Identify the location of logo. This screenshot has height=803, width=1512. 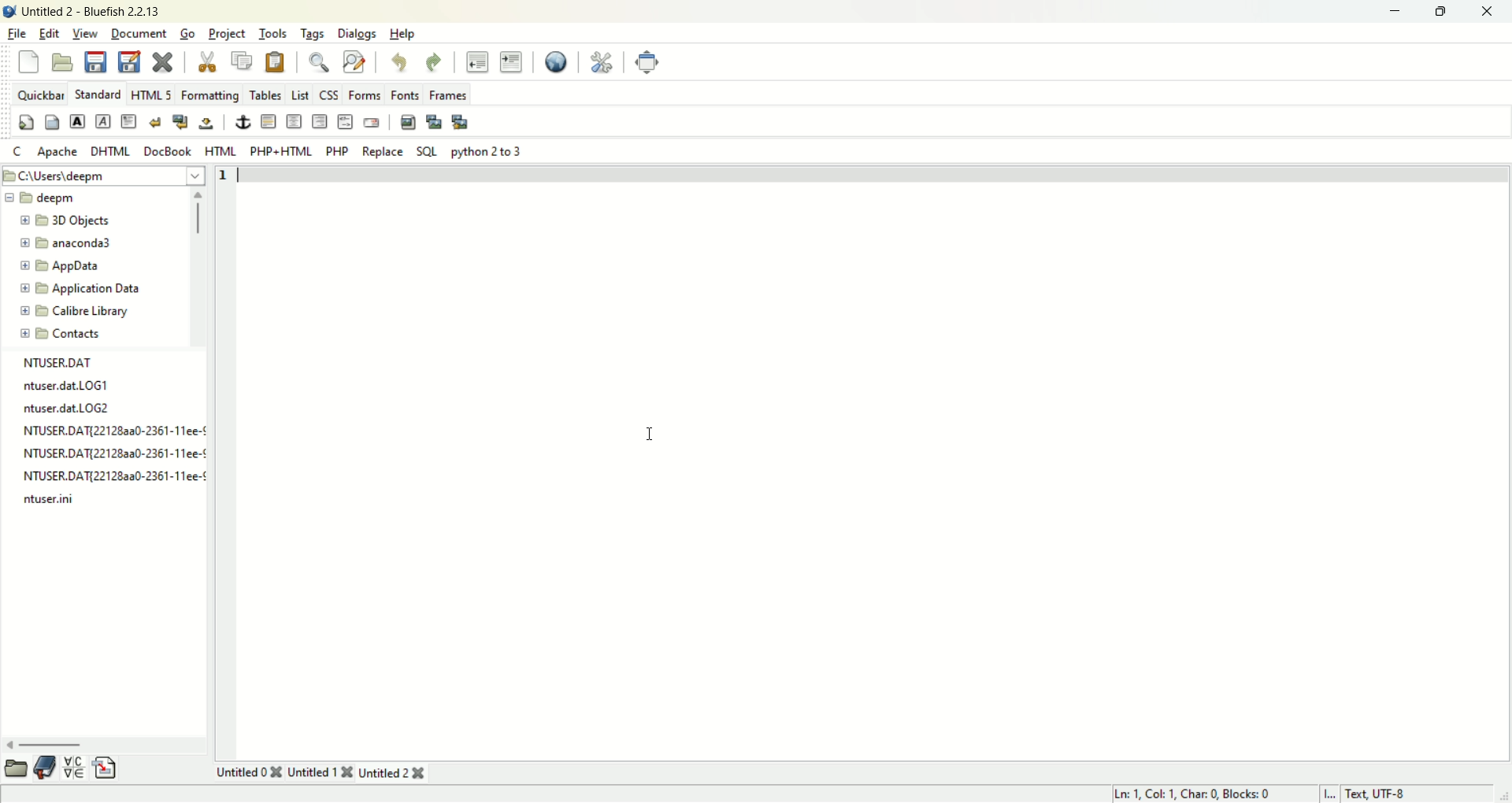
(9, 9).